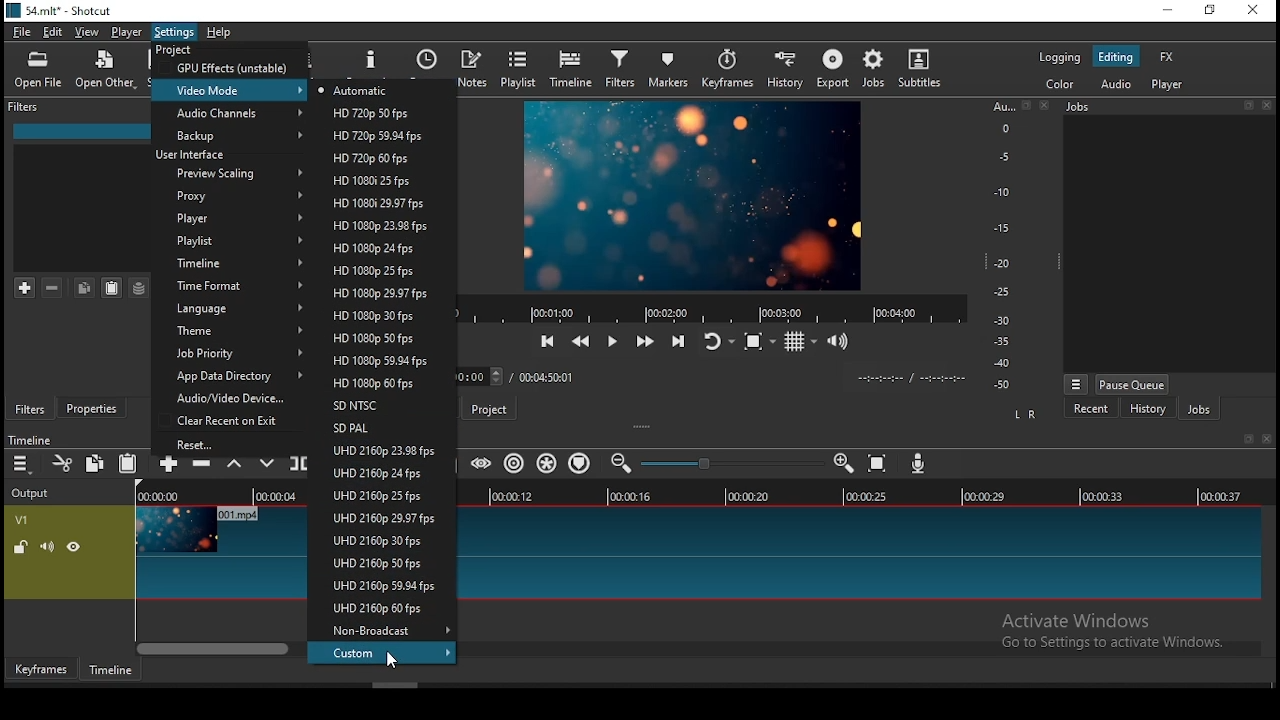 The image size is (1280, 720). I want to click on resolution option, so click(381, 474).